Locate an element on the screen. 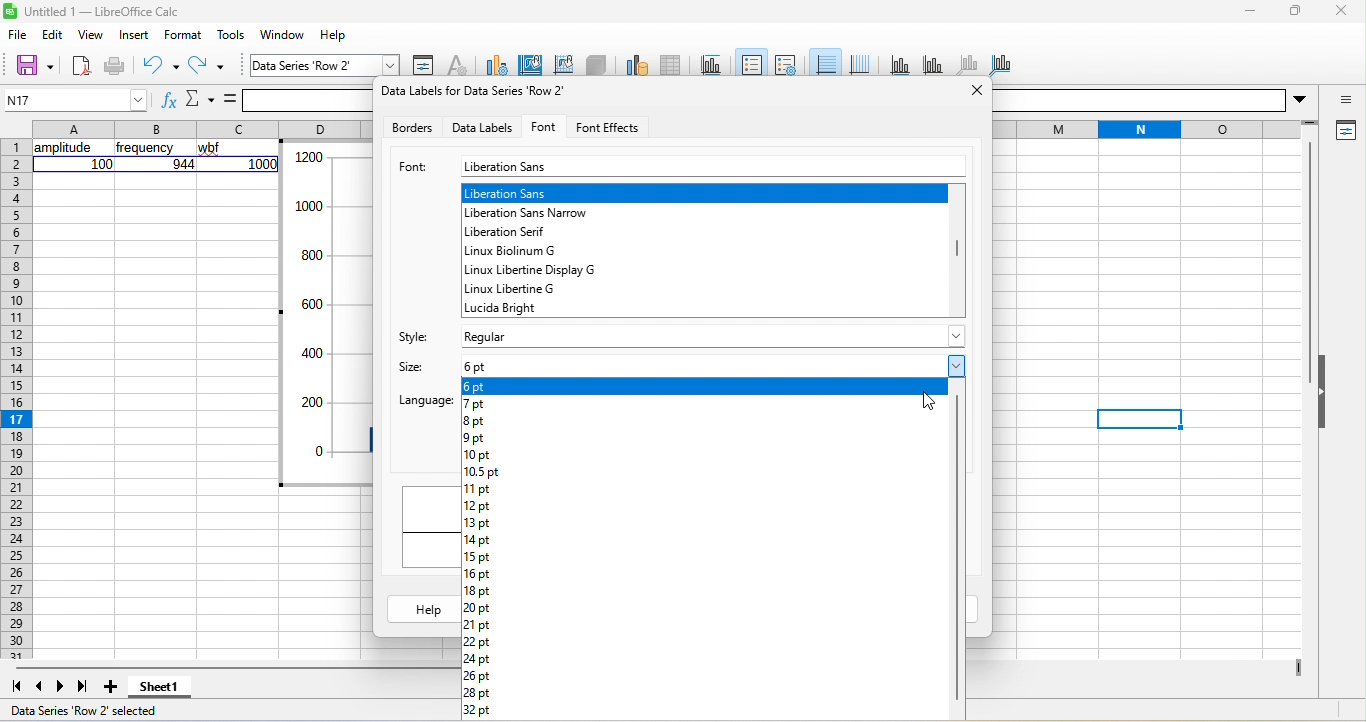 The width and height of the screenshot is (1366, 722). chart type is located at coordinates (494, 63).